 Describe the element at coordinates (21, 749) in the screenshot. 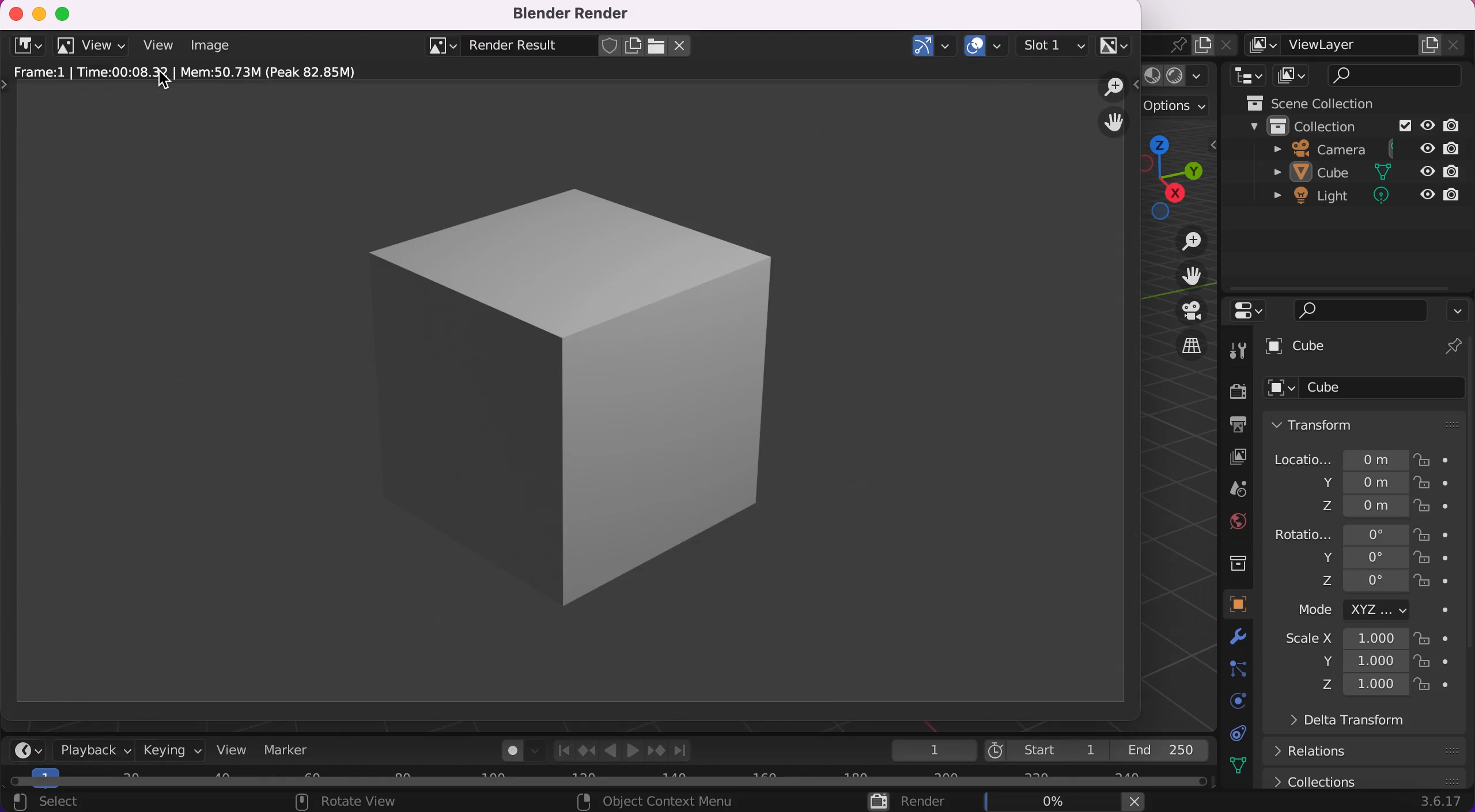

I see `editor type` at that location.